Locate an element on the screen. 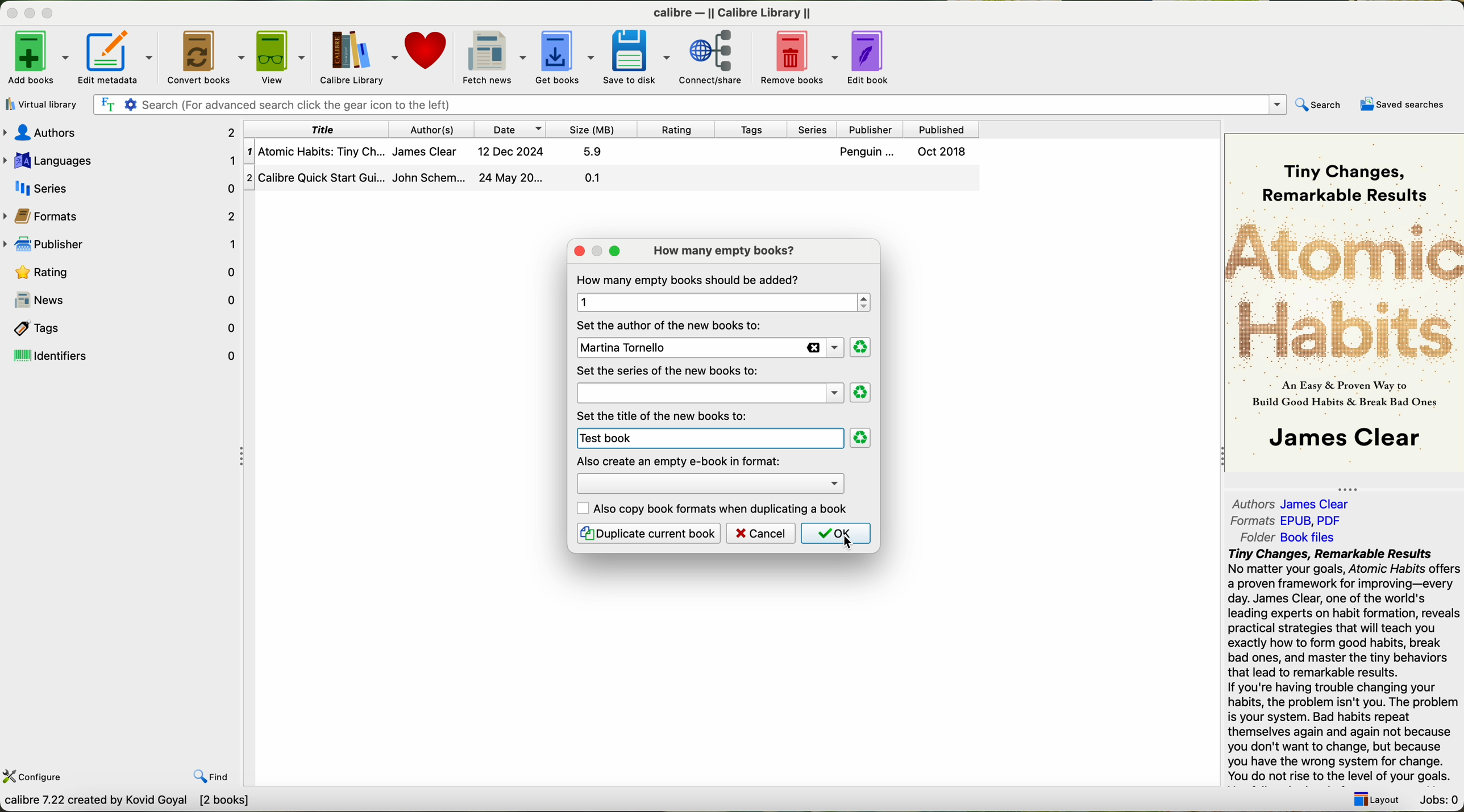 Image resolution: width=1464 pixels, height=812 pixels. series is located at coordinates (119, 188).